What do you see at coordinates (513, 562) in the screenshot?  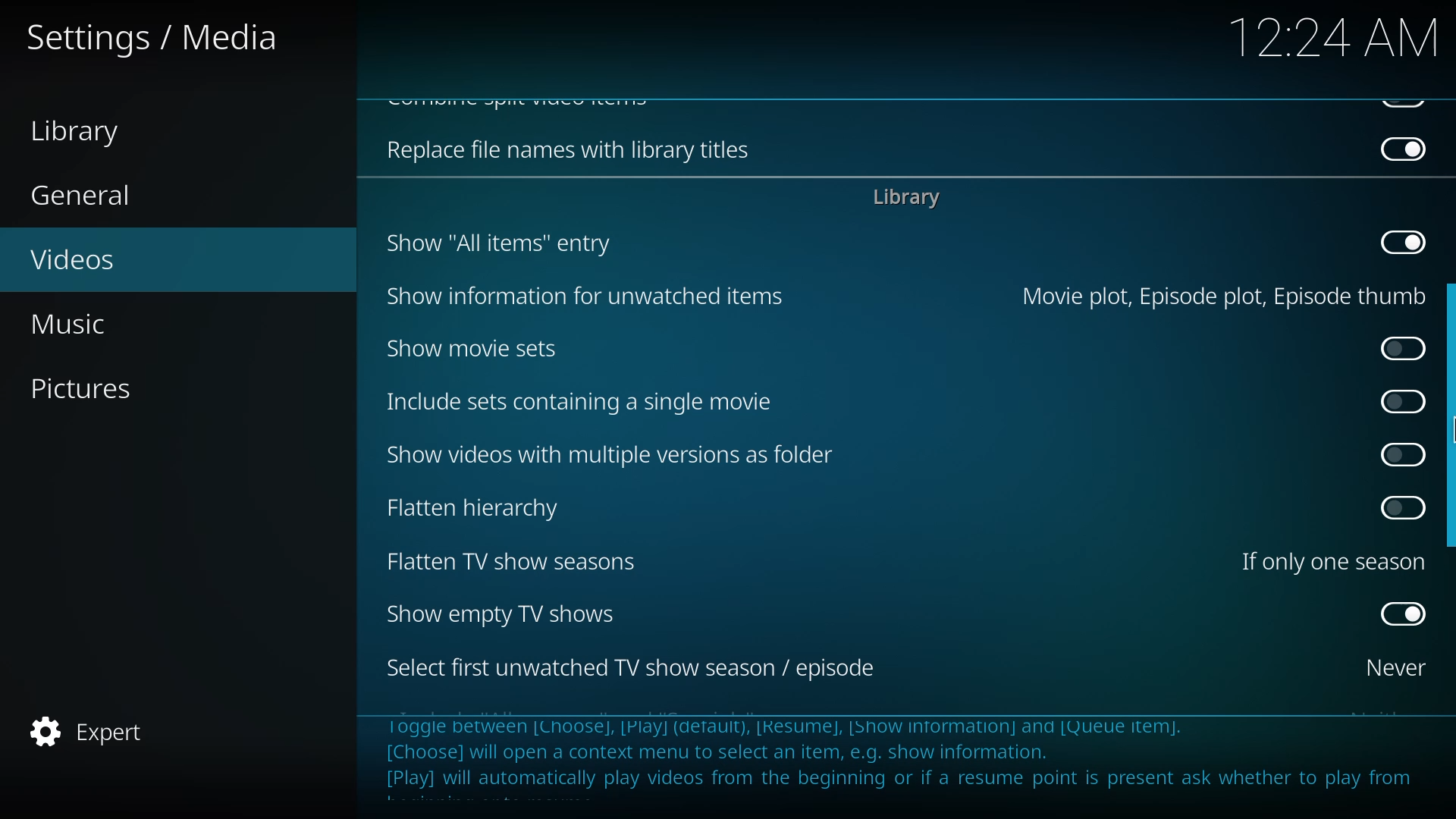 I see `flatten tv show seasons` at bounding box center [513, 562].